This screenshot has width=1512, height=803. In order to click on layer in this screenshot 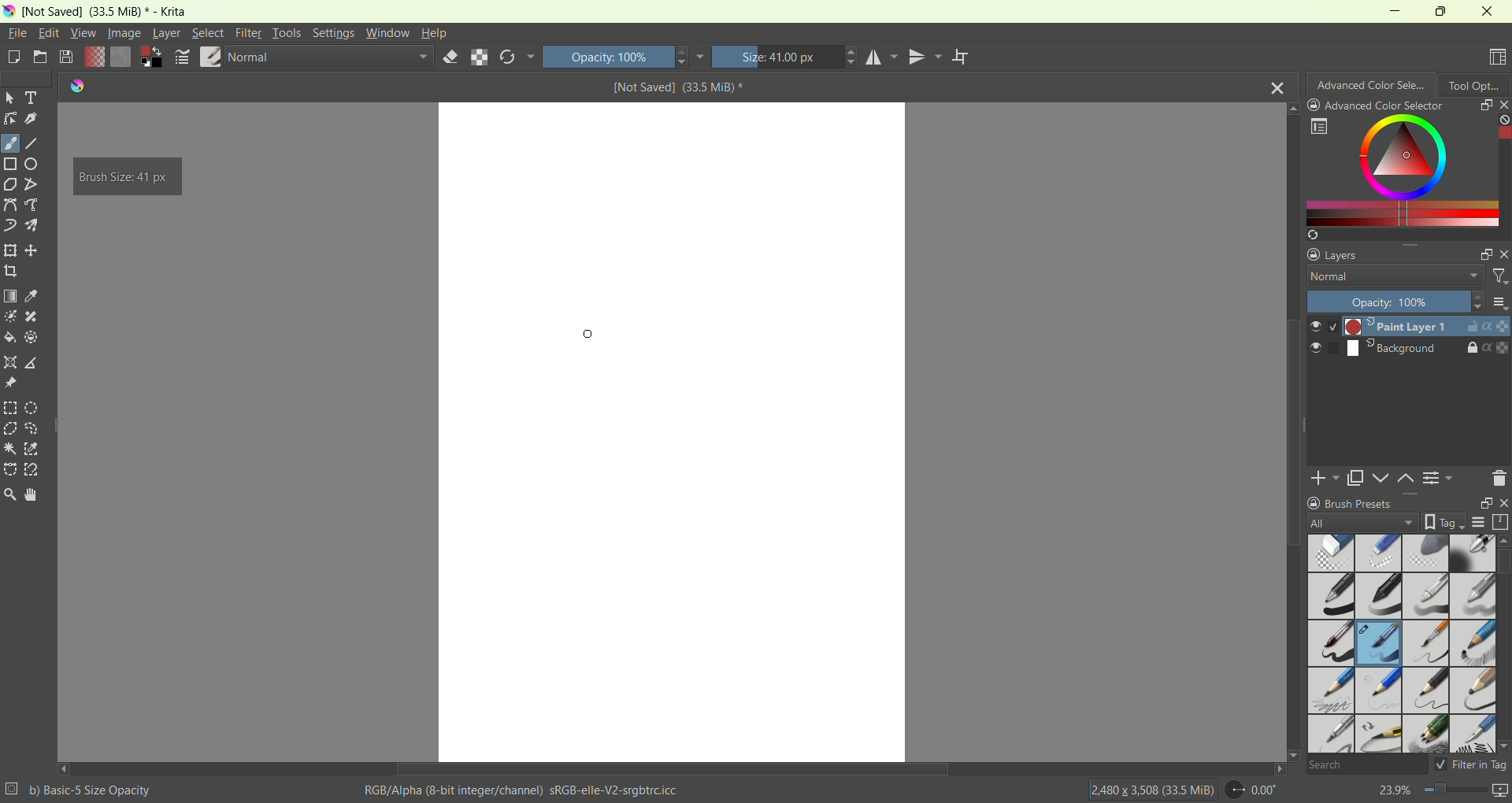, I will do `click(166, 35)`.